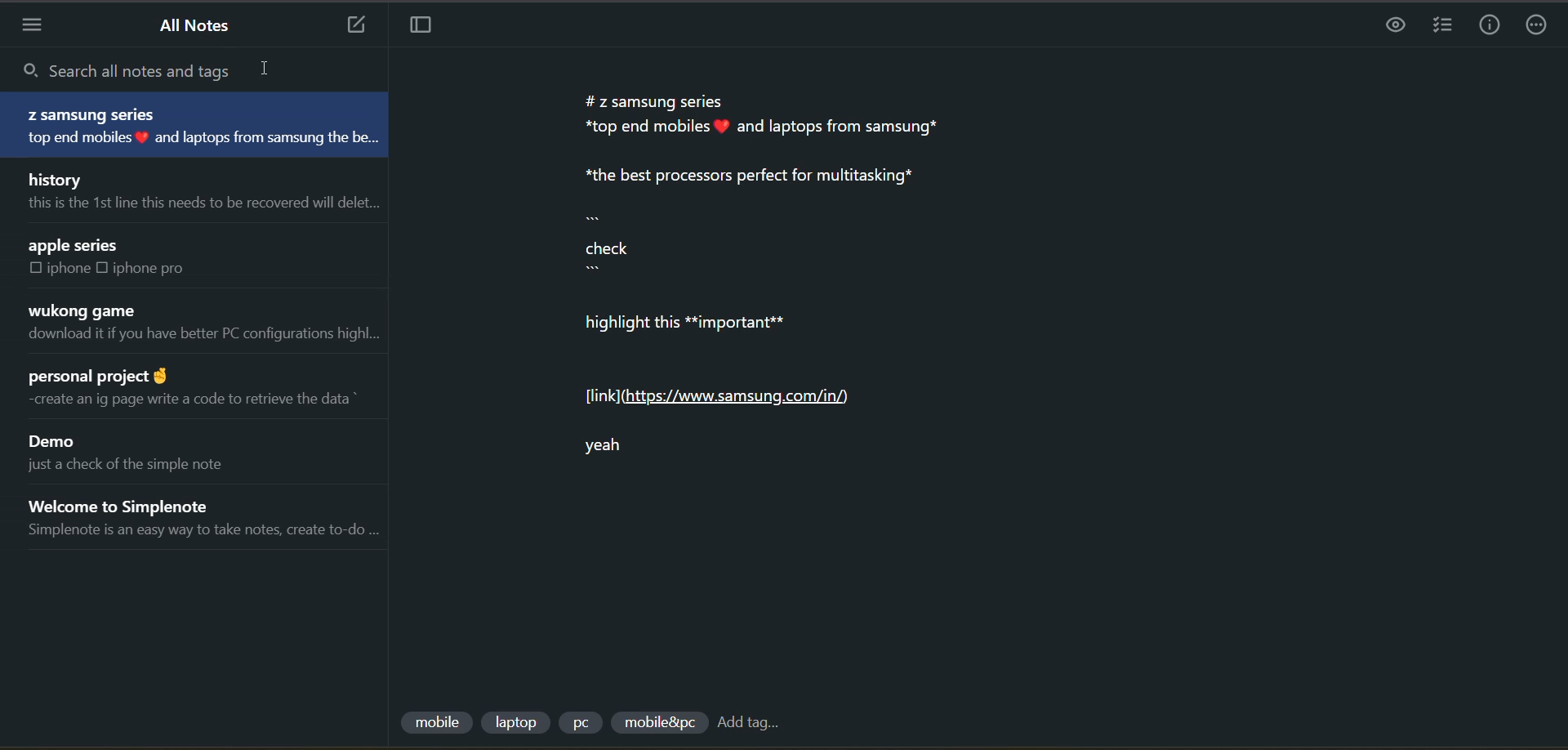  I want to click on info, so click(1483, 26).